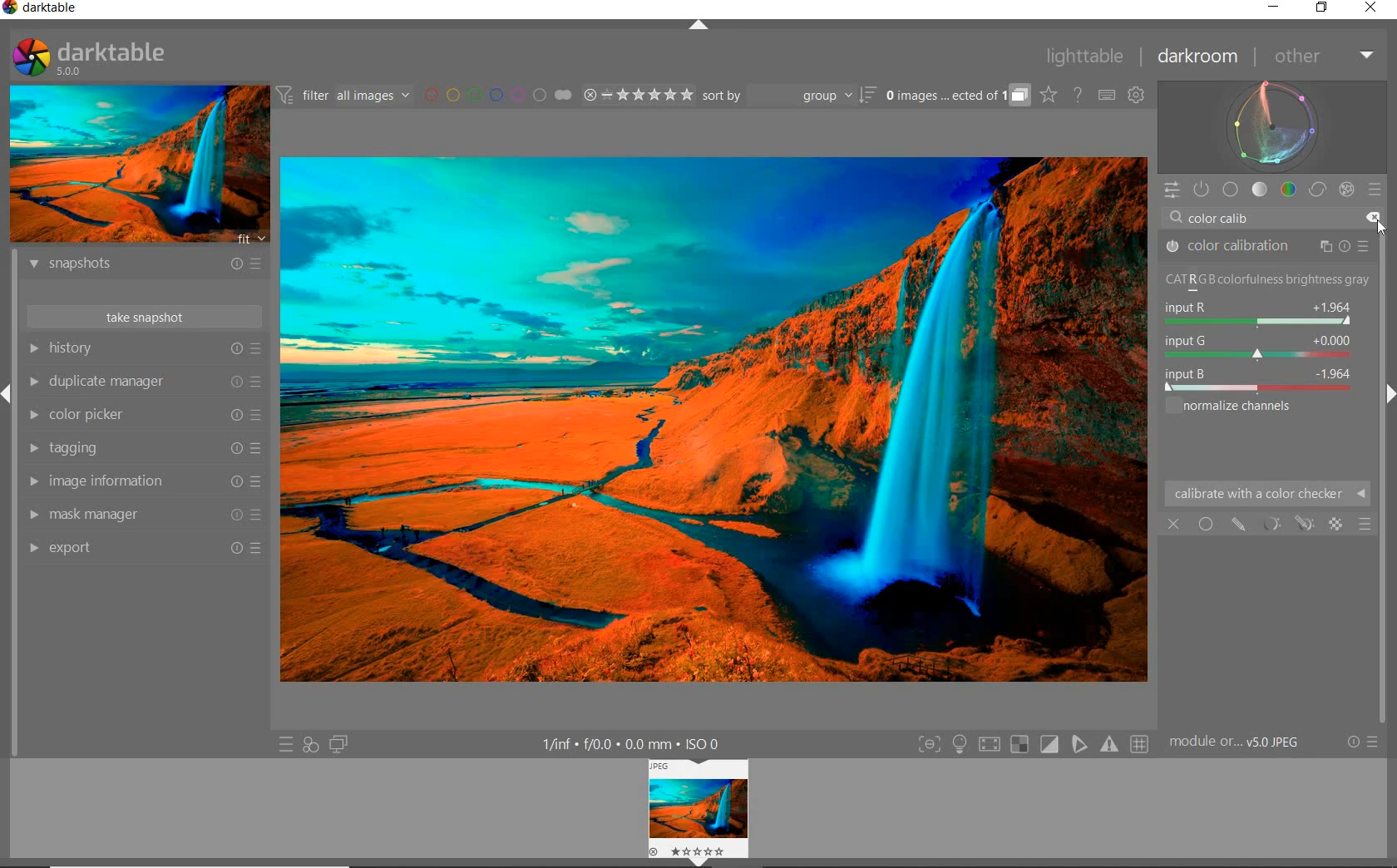  Describe the element at coordinates (144, 381) in the screenshot. I see `duplicate manager` at that location.